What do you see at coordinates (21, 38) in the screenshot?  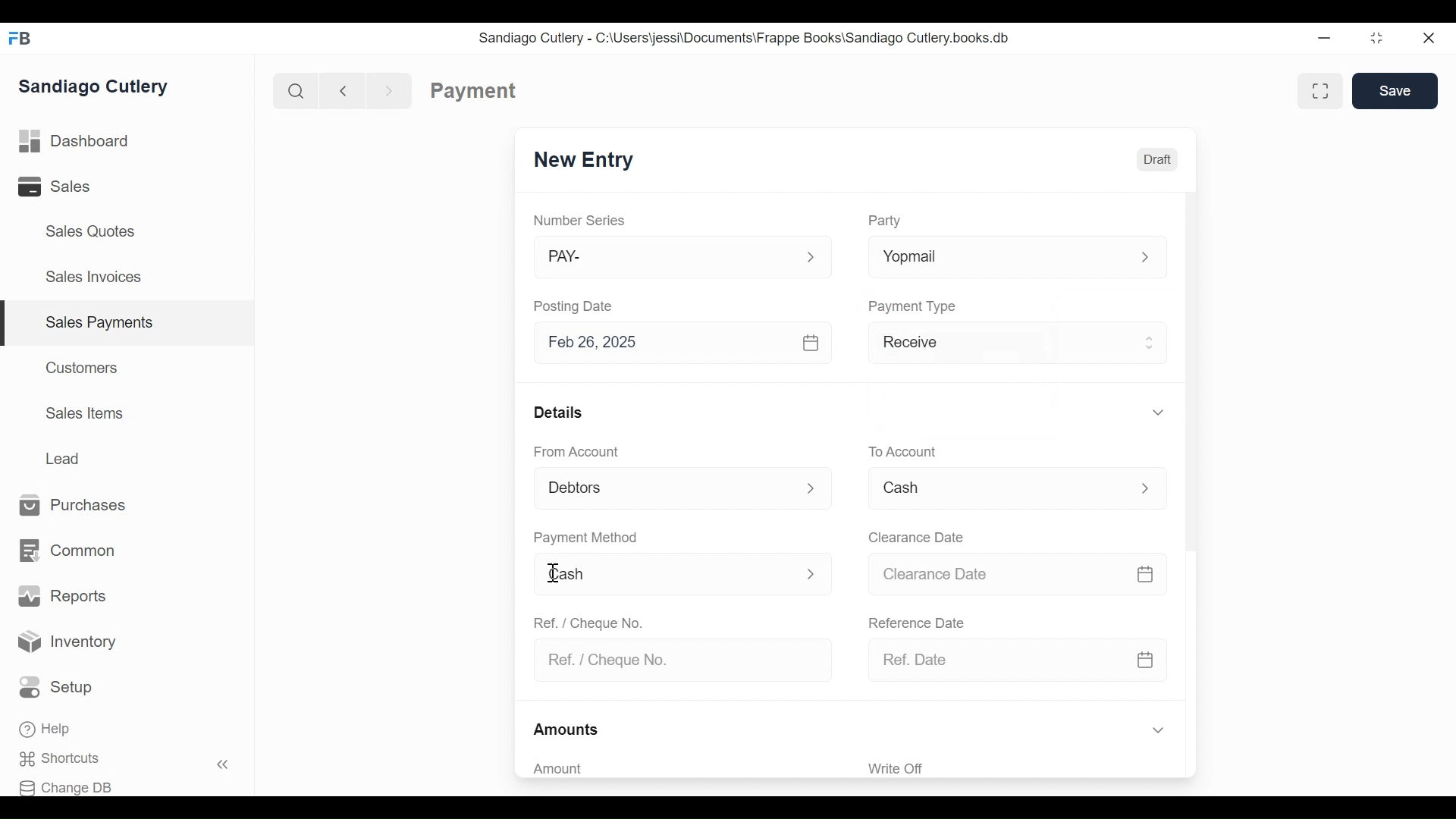 I see `Frappe Books` at bounding box center [21, 38].